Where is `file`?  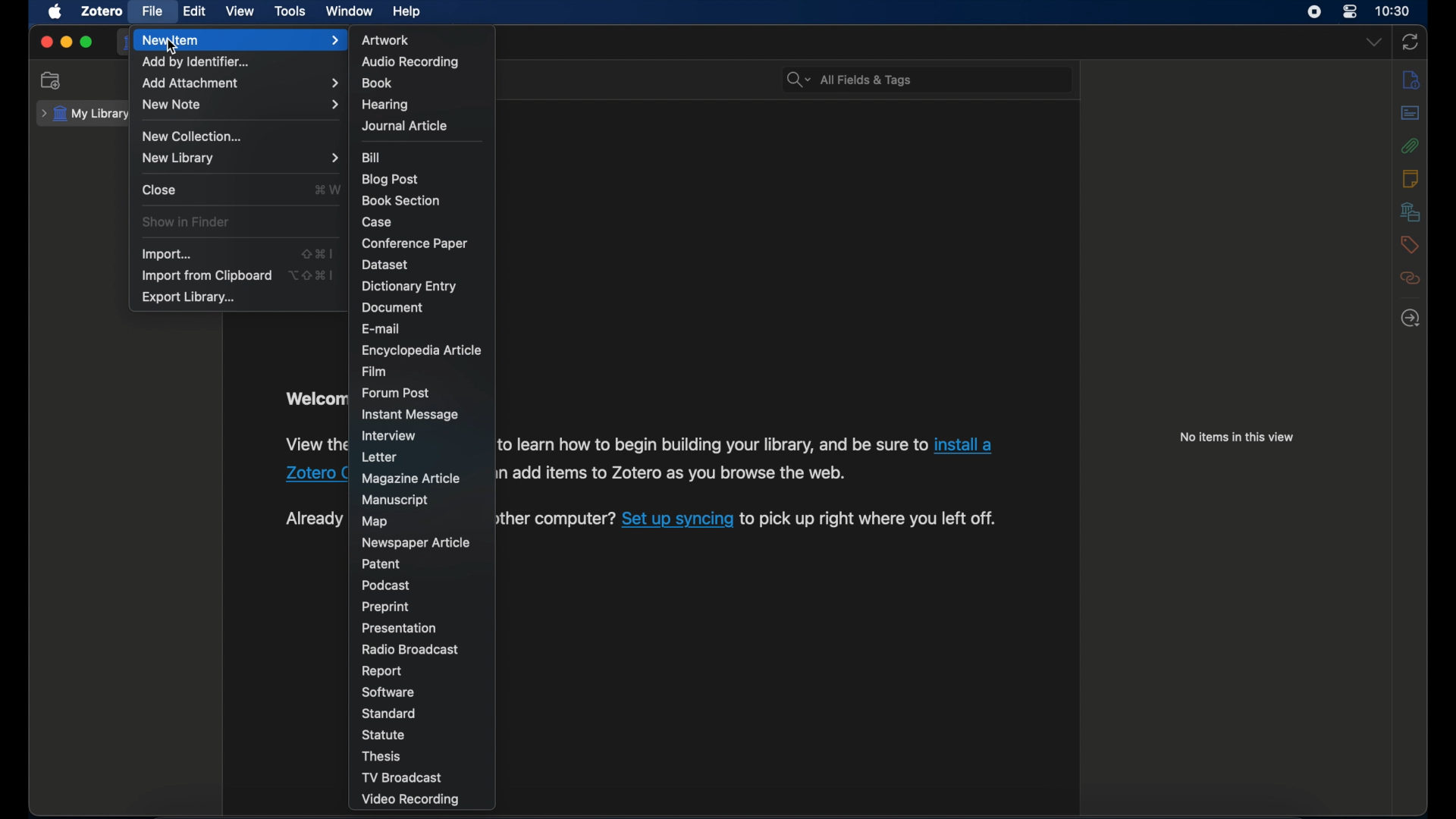
file is located at coordinates (152, 11).